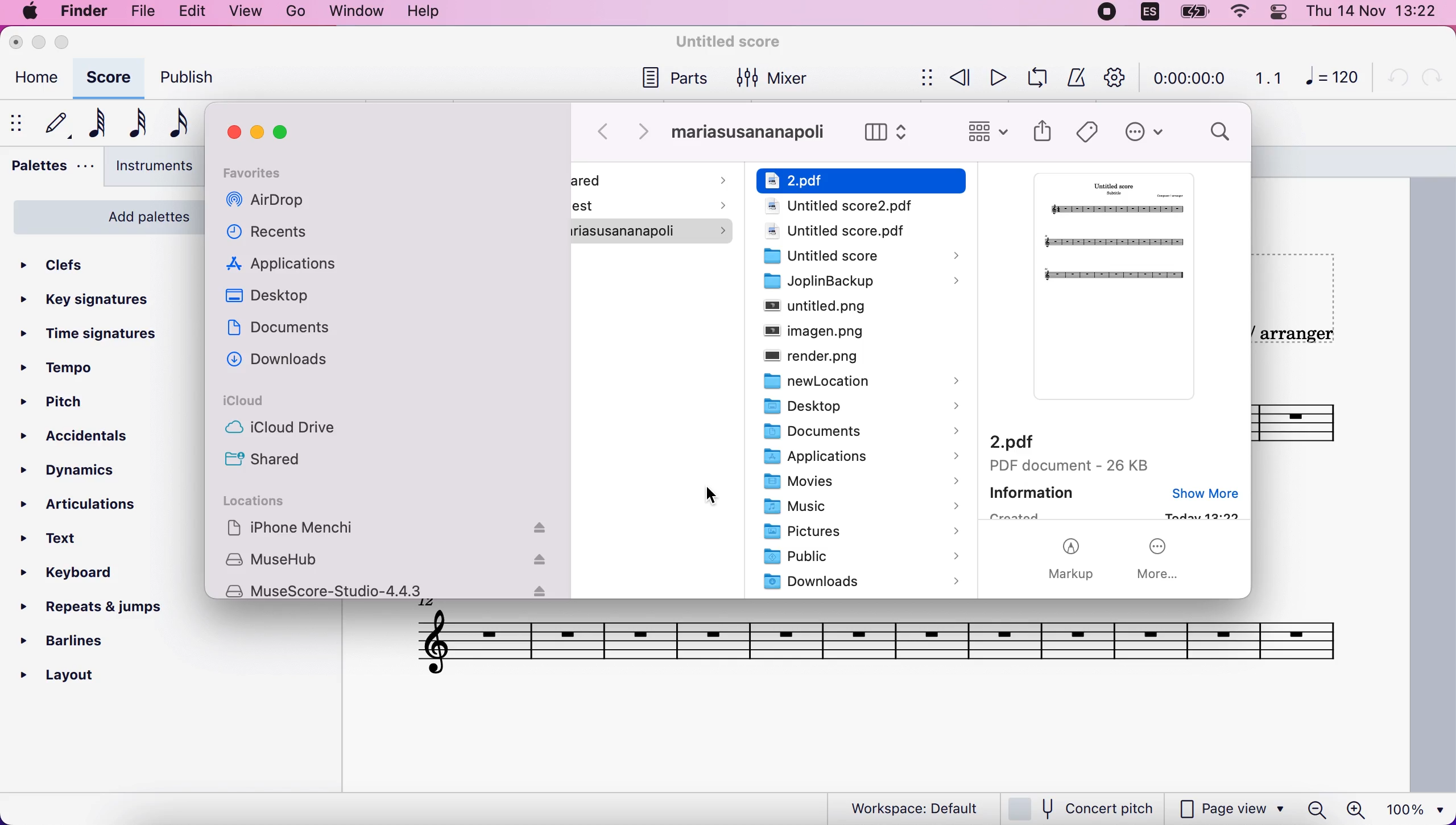 This screenshot has height=825, width=1456. What do you see at coordinates (862, 179) in the screenshot?
I see `folders` at bounding box center [862, 179].